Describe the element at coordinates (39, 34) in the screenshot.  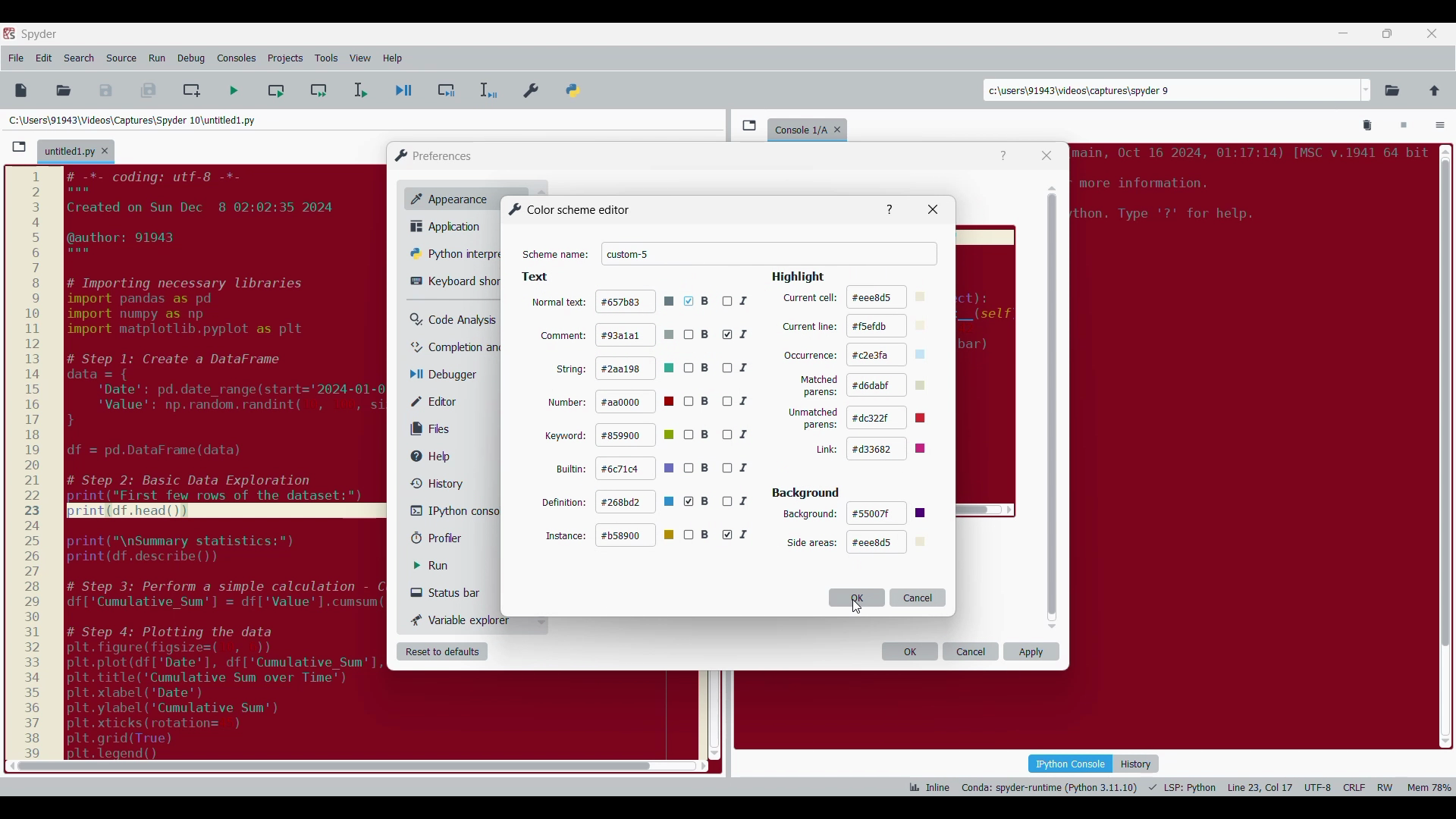
I see `Software name` at that location.